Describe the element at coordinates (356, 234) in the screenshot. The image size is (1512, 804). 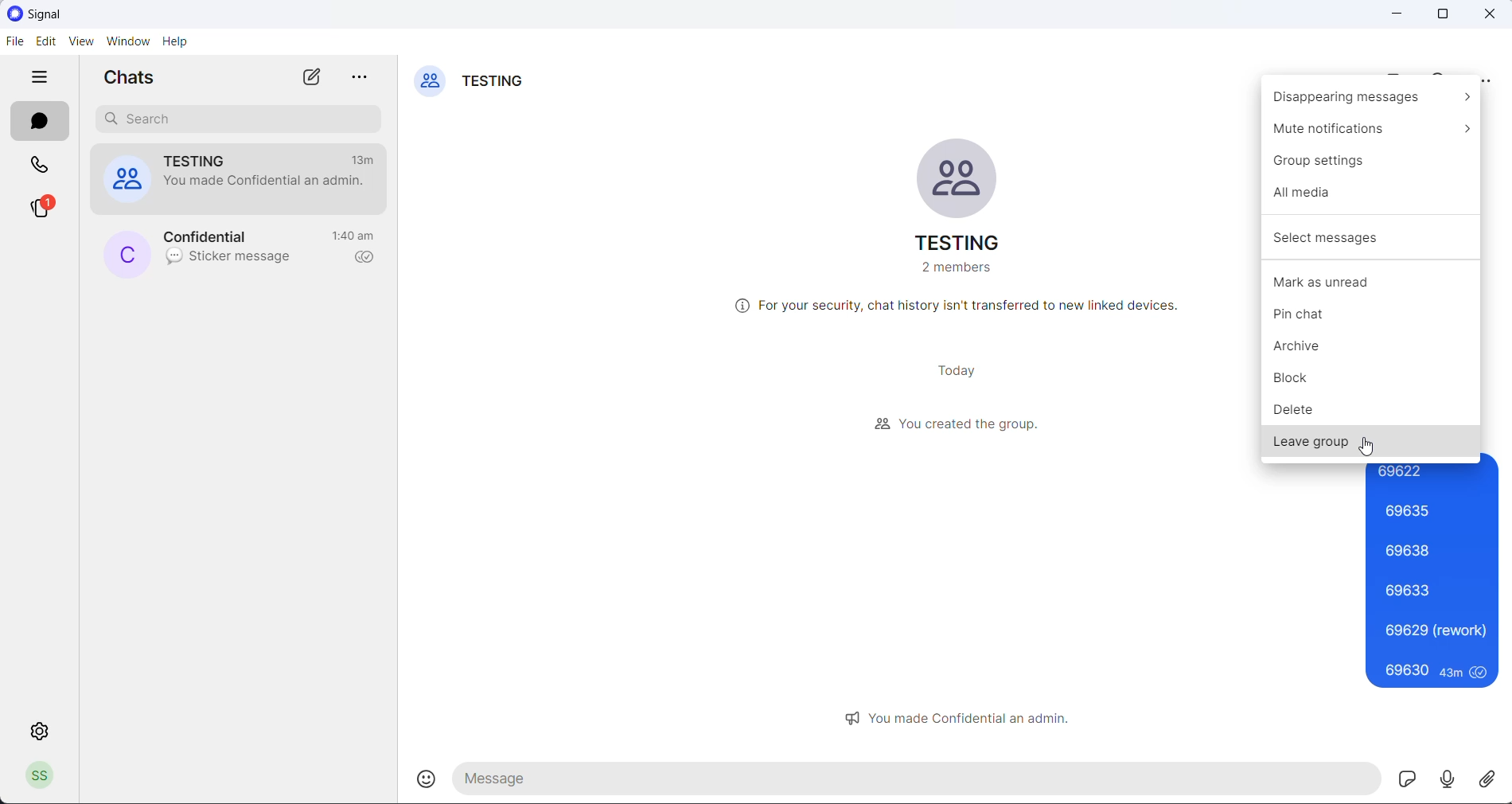
I see `last active time` at that location.